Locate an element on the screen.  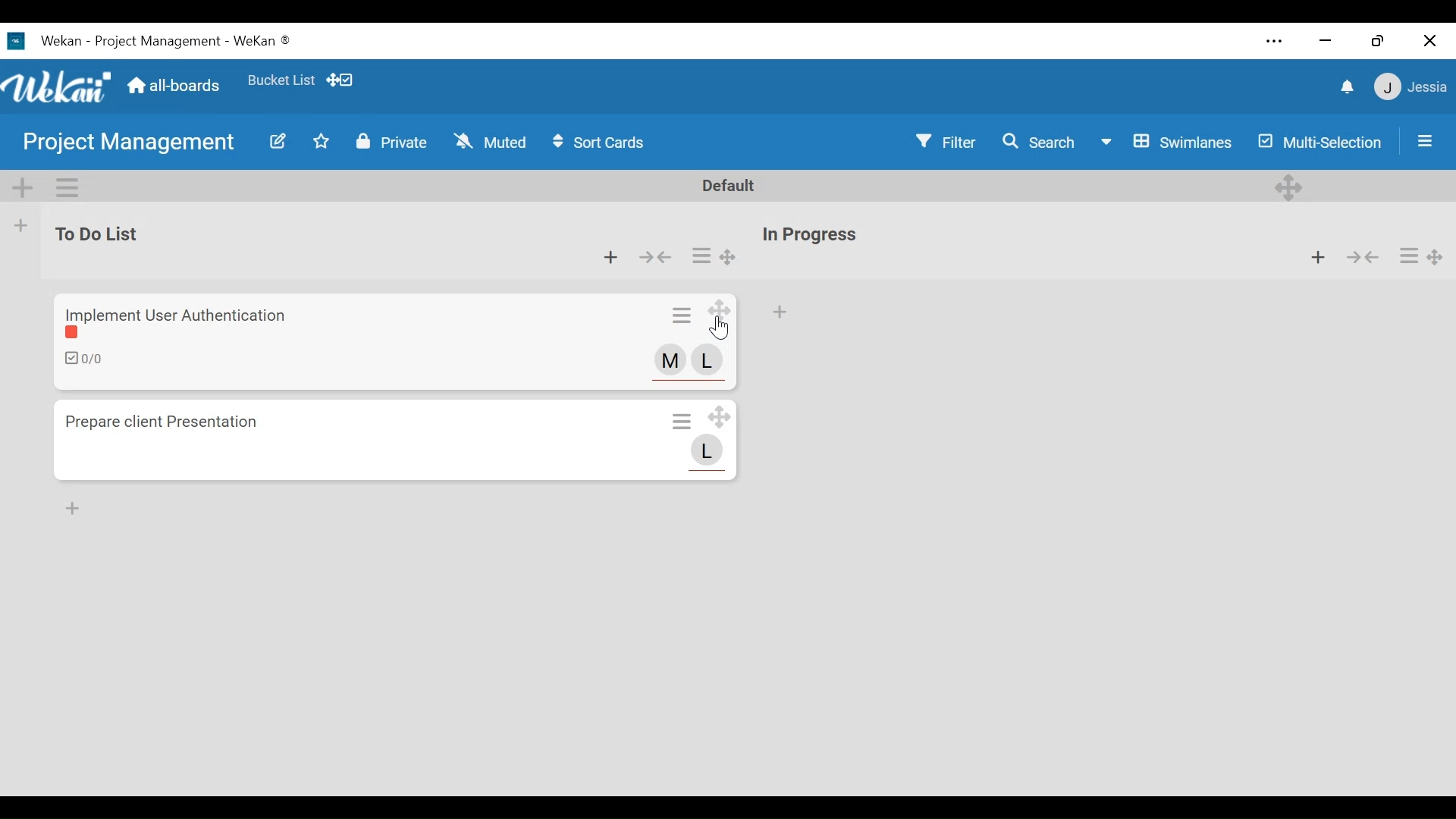
Search is located at coordinates (1041, 142).